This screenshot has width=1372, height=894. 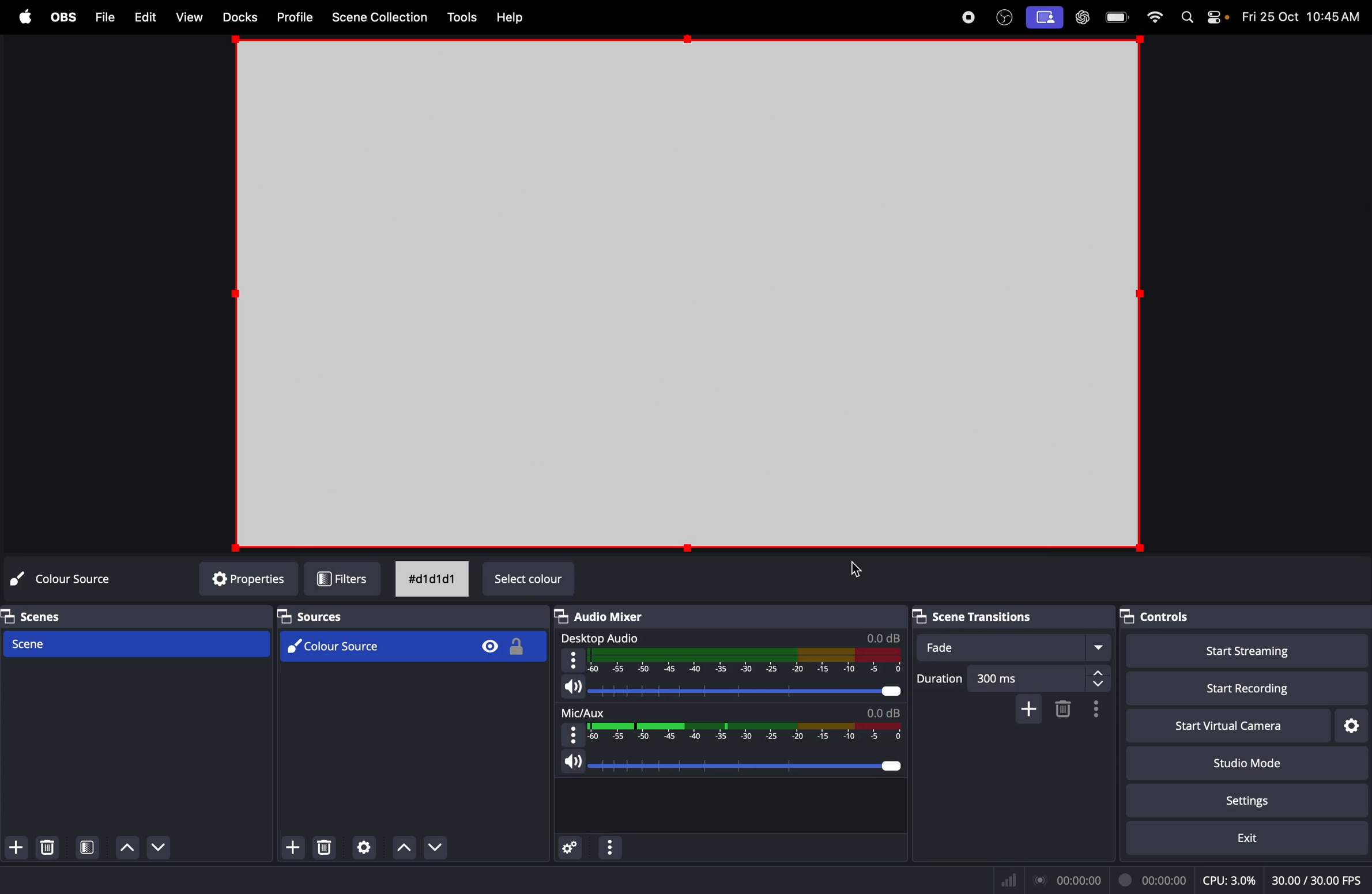 I want to click on apple widgets, so click(x=1215, y=17).